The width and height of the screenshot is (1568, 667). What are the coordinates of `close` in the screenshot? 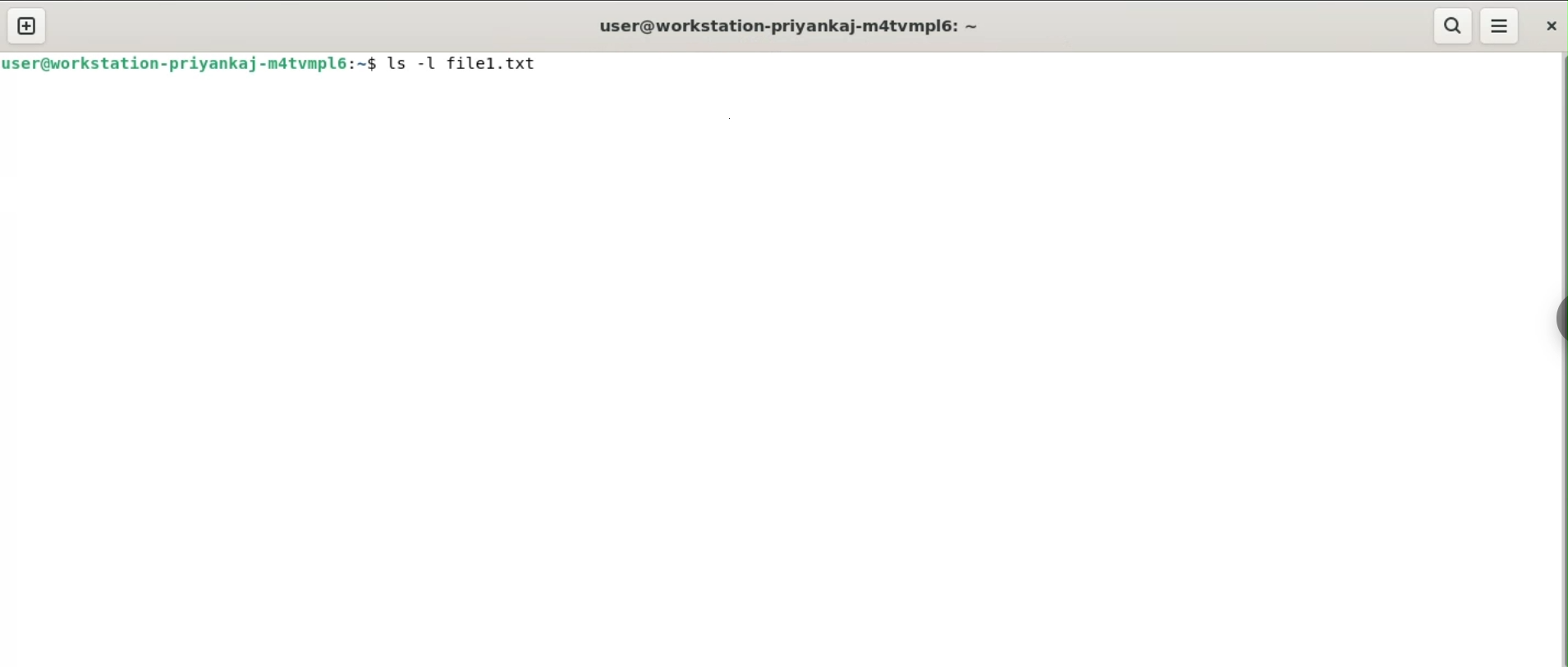 It's located at (1553, 25).